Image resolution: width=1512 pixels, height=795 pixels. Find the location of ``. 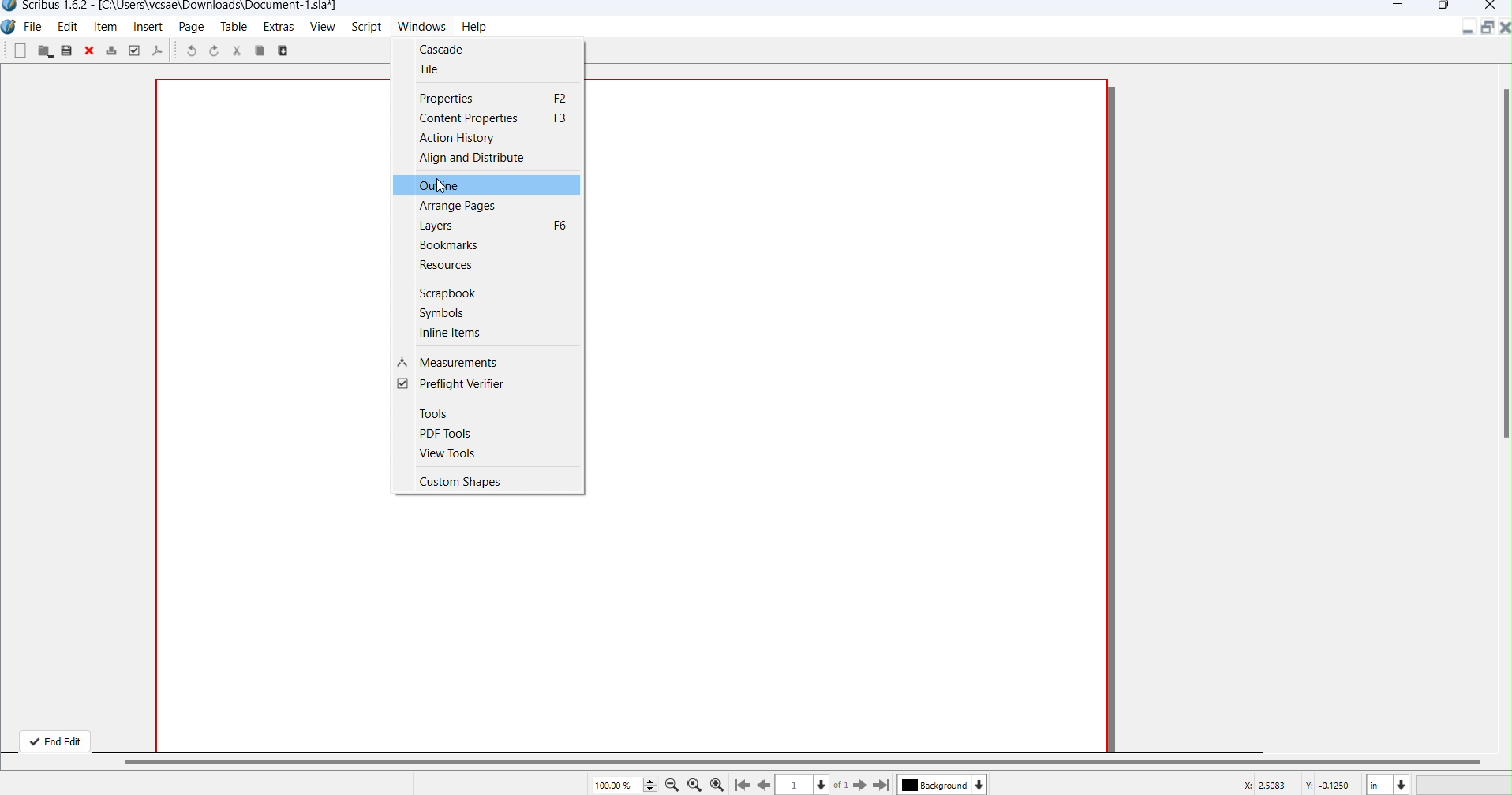

 is located at coordinates (240, 50).